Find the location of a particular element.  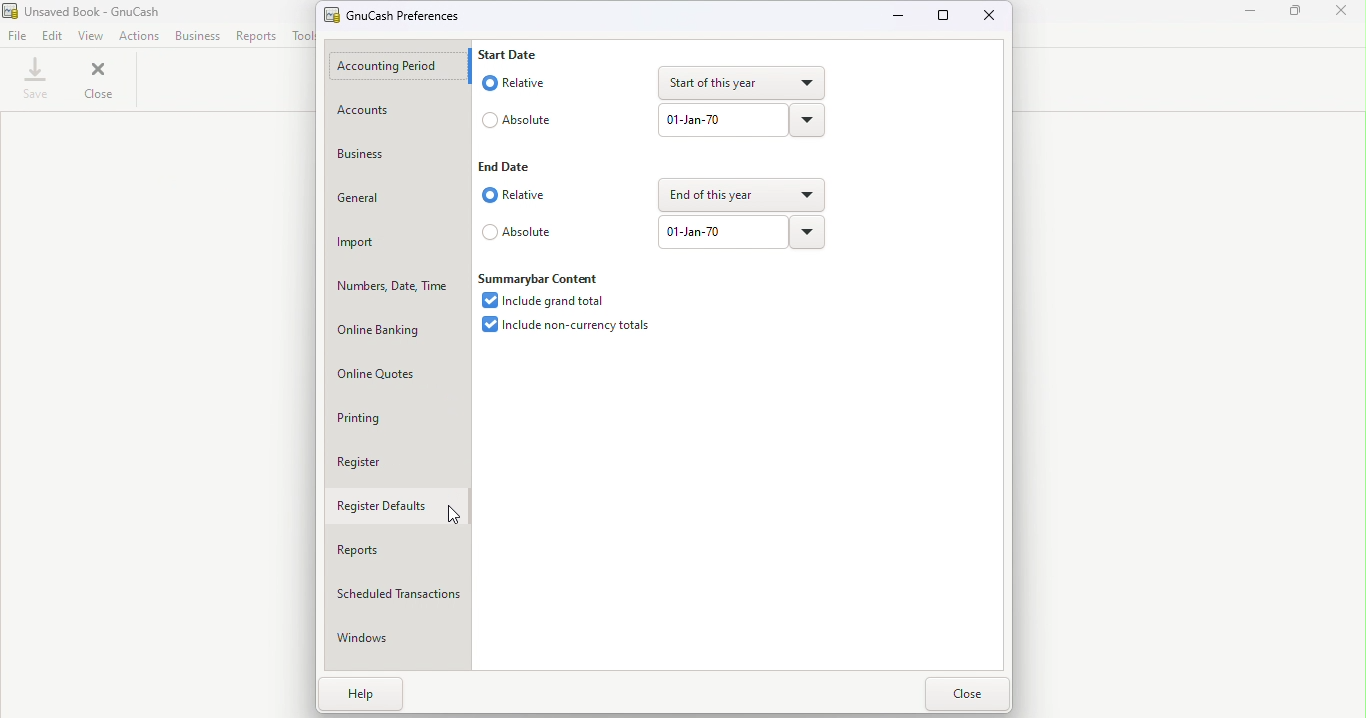

cursor is located at coordinates (453, 517).